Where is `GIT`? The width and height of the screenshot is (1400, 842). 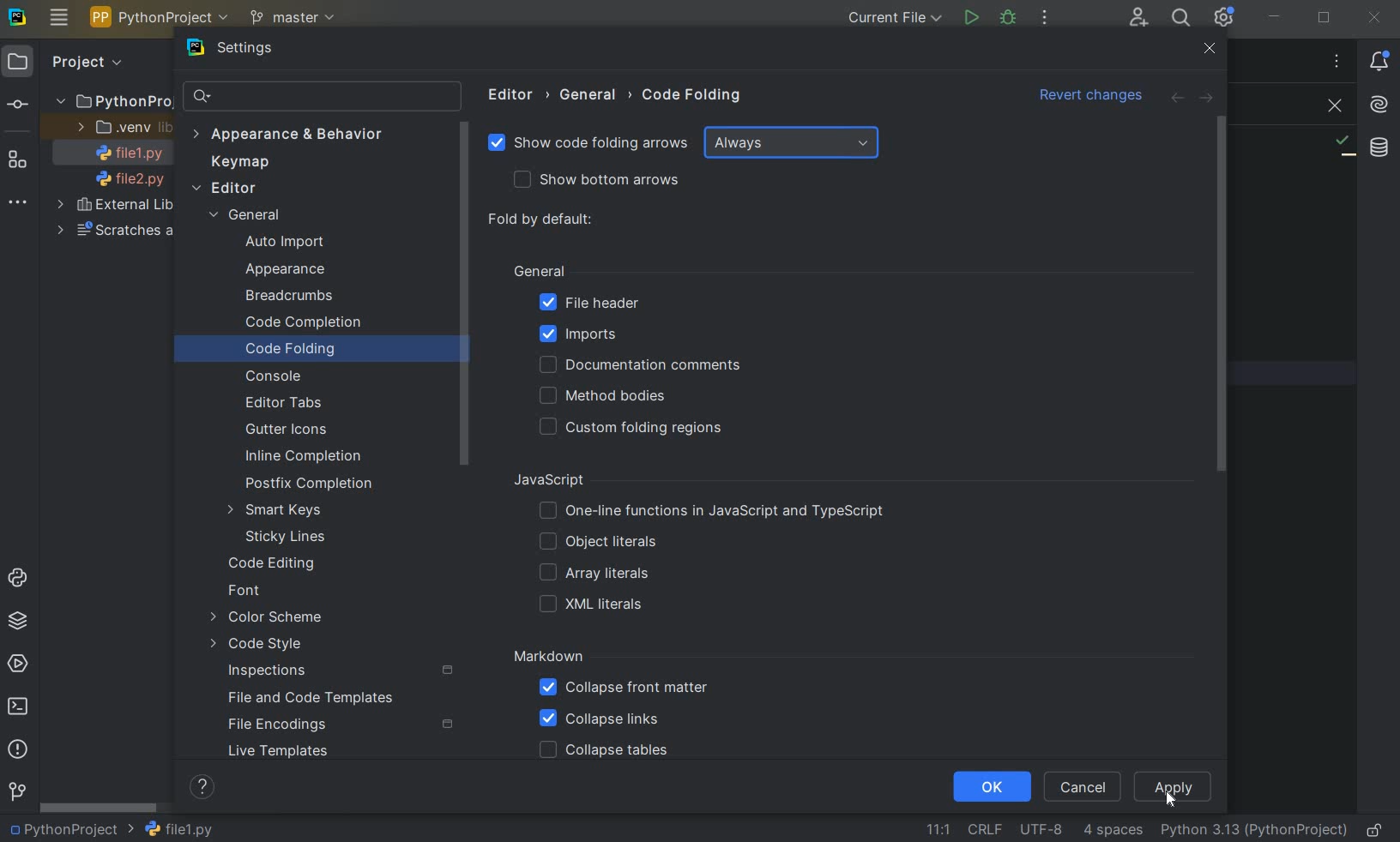
GIT is located at coordinates (17, 791).